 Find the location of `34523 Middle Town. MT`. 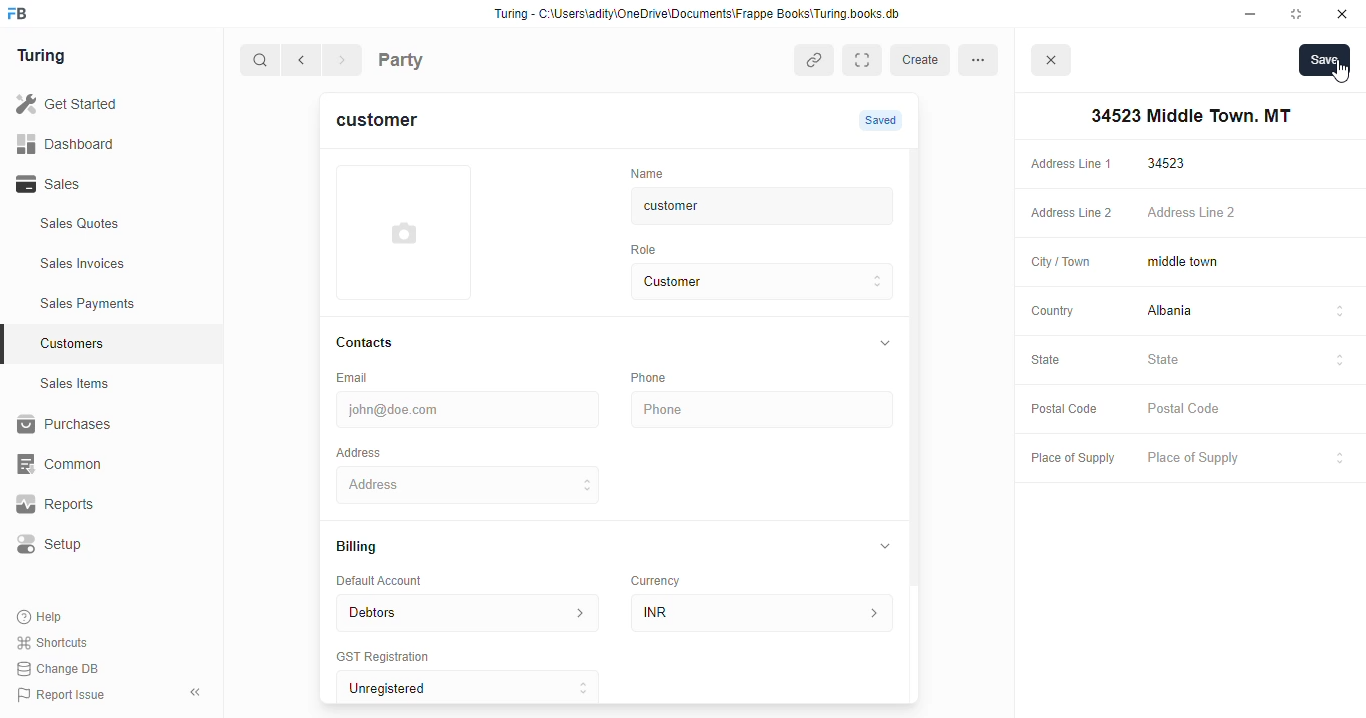

34523 Middle Town. MT is located at coordinates (471, 484).